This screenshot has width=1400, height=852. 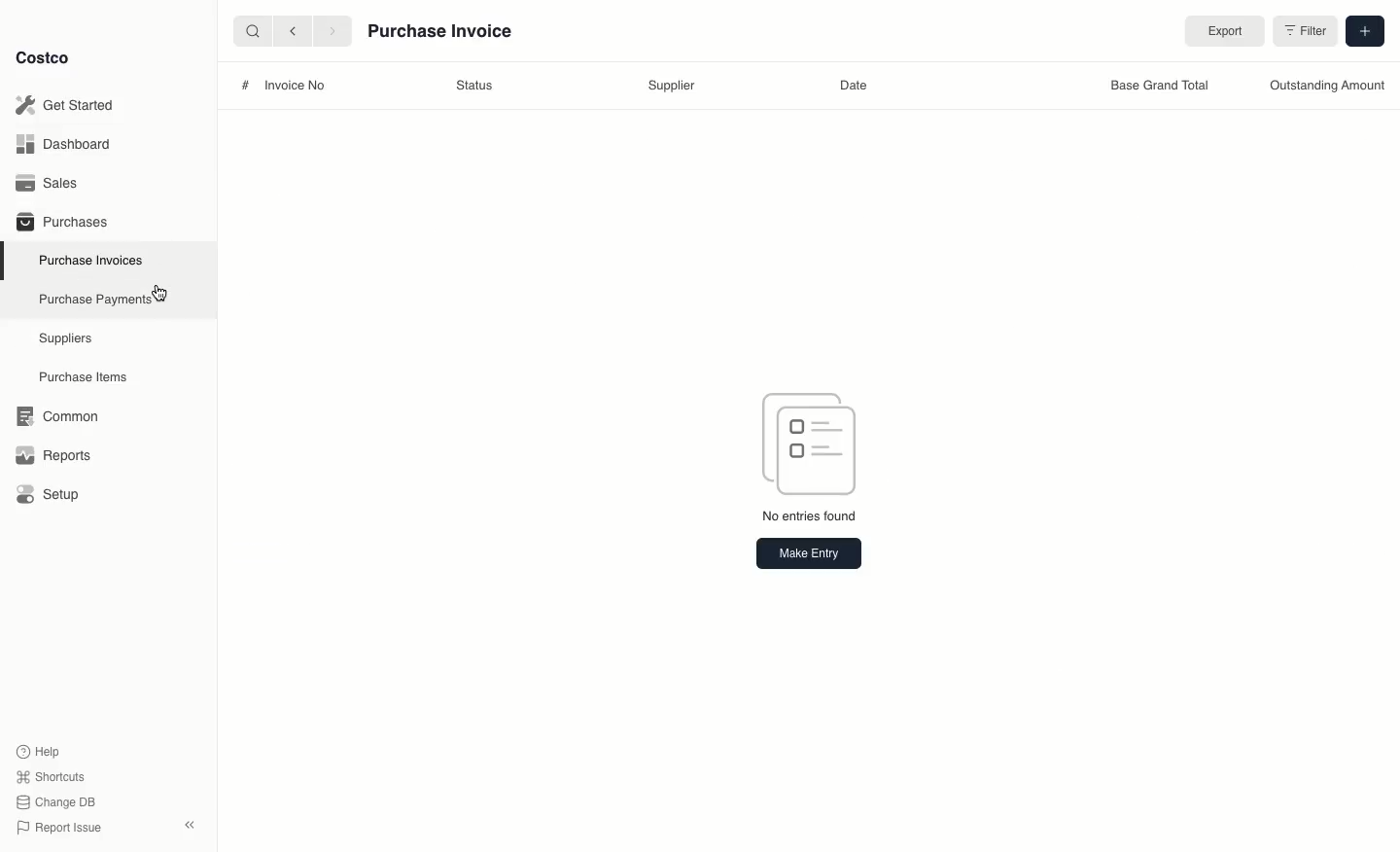 What do you see at coordinates (672, 87) in the screenshot?
I see `Supplier` at bounding box center [672, 87].